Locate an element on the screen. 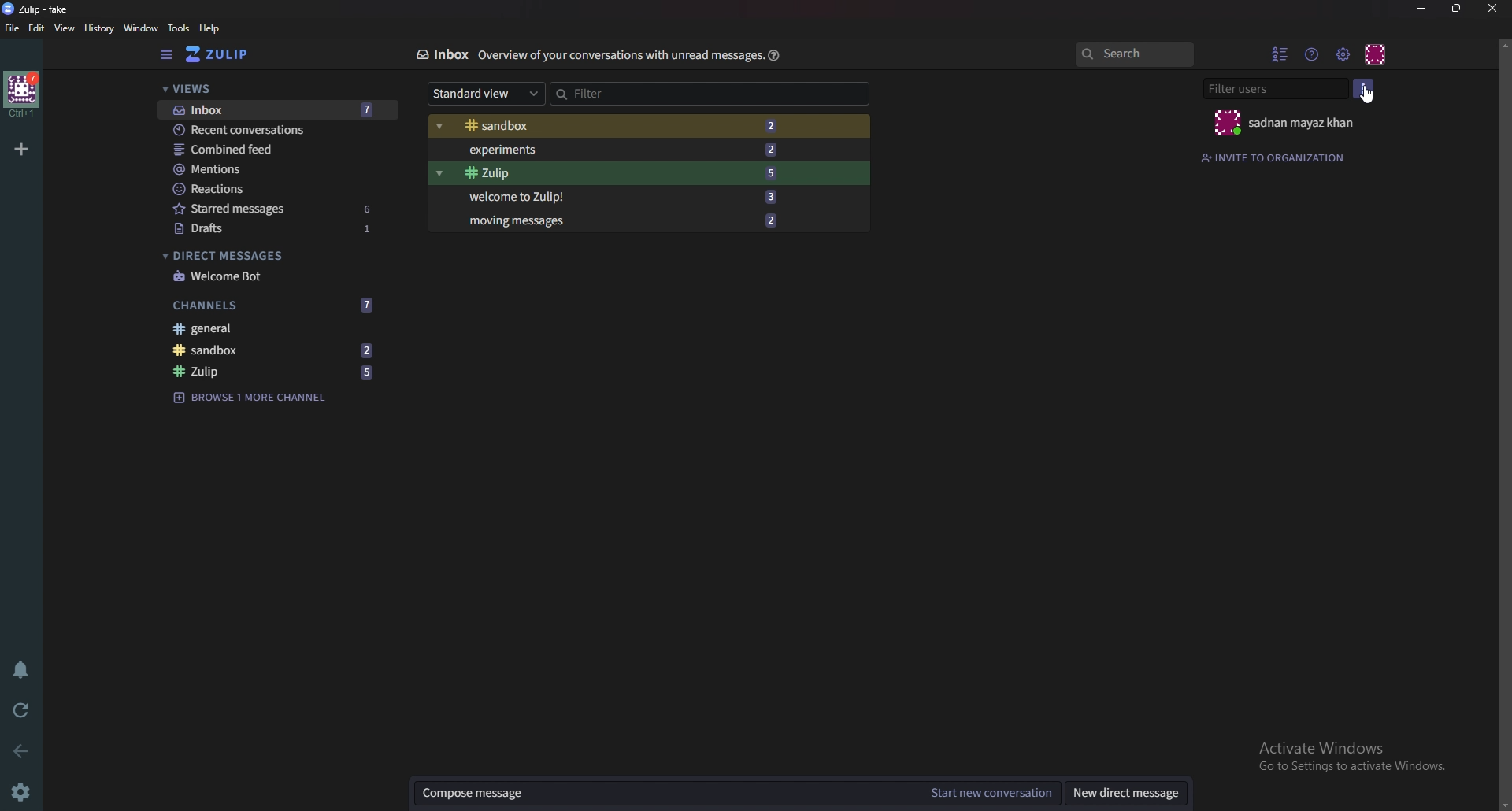 Image resolution: width=1512 pixels, height=811 pixels. Window is located at coordinates (141, 28).